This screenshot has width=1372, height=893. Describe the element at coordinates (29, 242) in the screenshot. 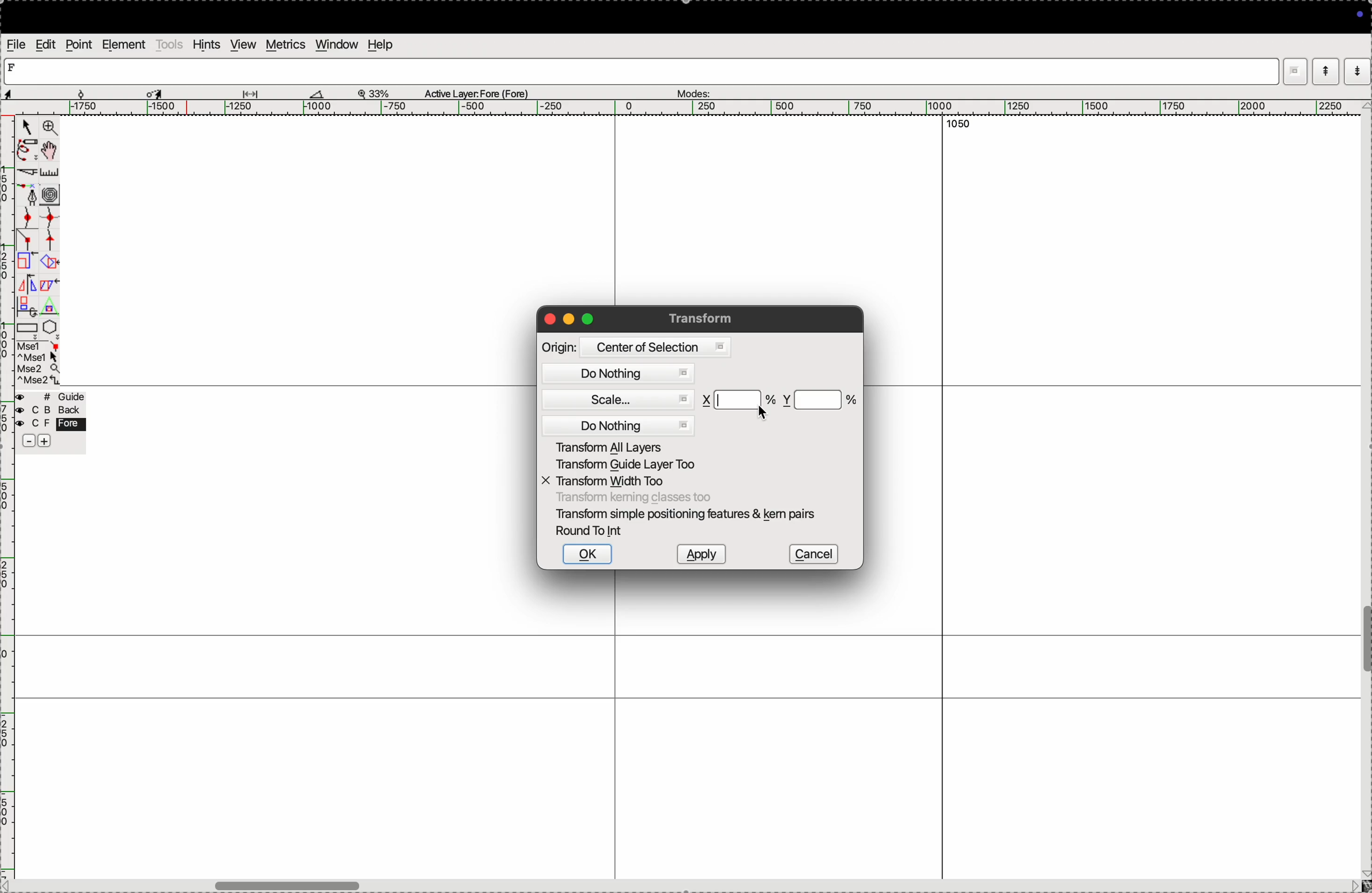

I see `line` at that location.